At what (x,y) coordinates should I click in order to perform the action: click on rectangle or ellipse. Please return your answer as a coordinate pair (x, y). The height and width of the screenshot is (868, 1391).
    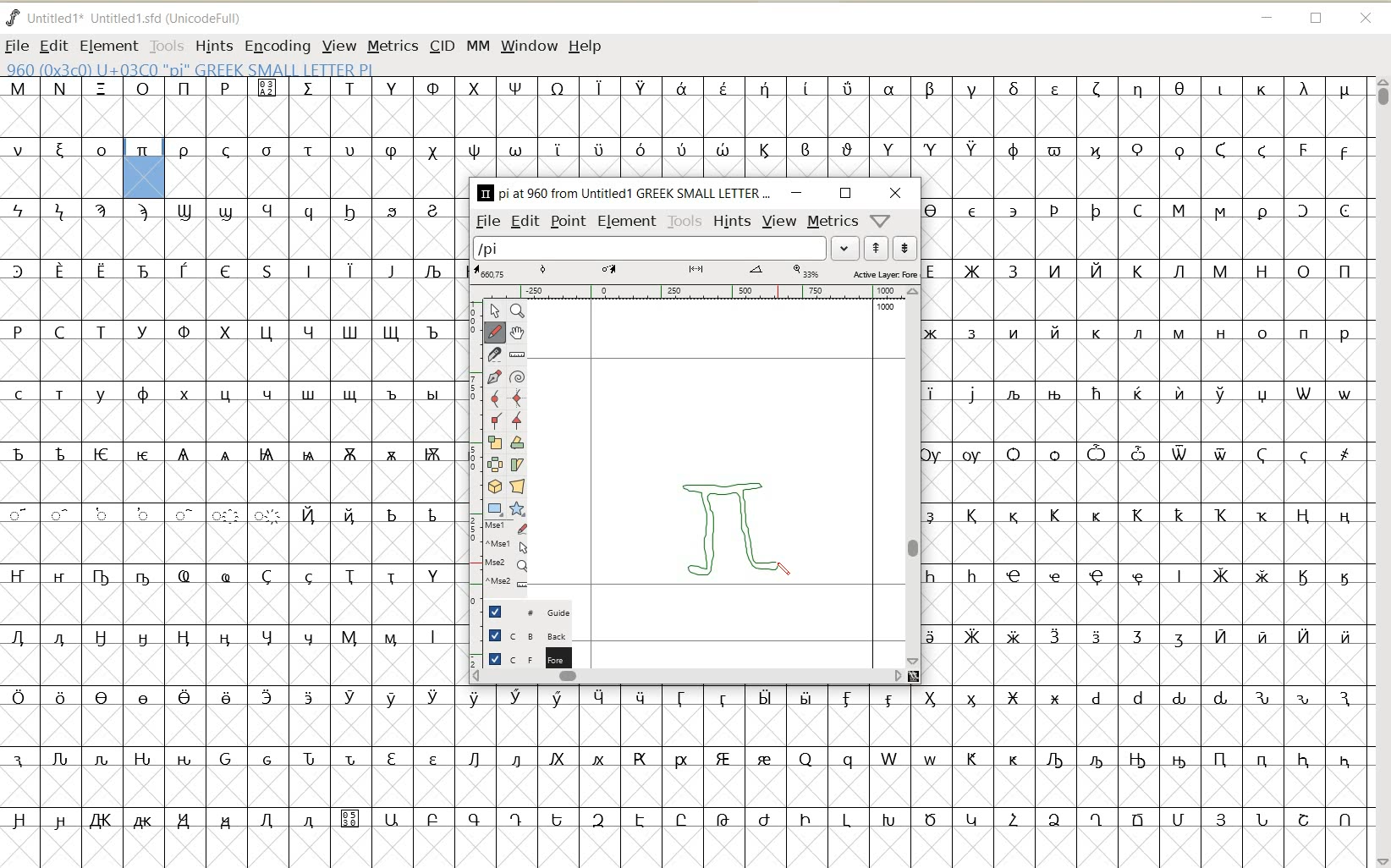
    Looking at the image, I should click on (494, 509).